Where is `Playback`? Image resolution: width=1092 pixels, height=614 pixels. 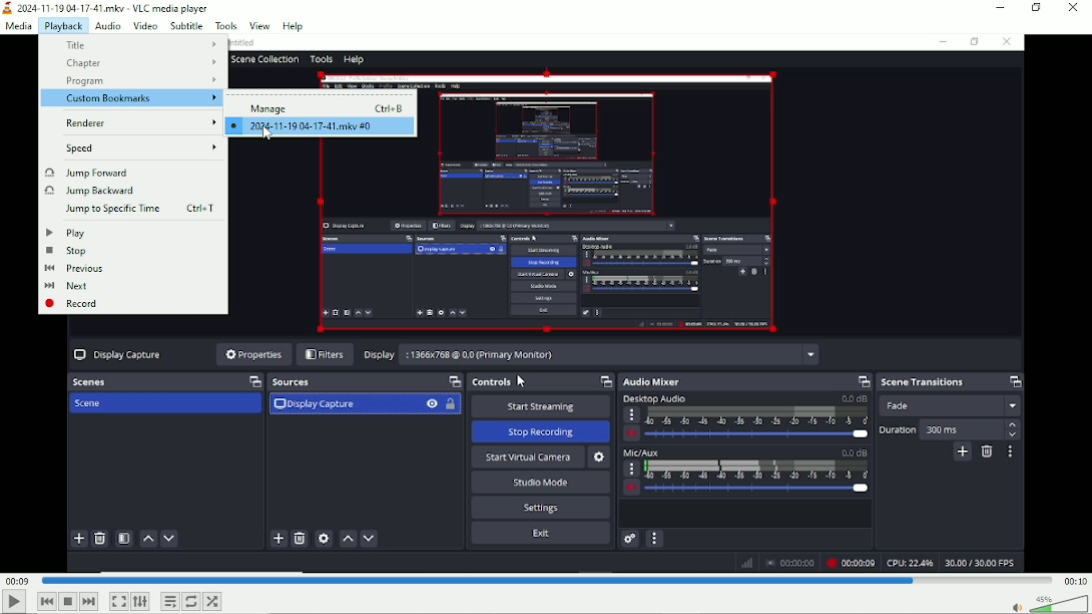
Playback is located at coordinates (62, 26).